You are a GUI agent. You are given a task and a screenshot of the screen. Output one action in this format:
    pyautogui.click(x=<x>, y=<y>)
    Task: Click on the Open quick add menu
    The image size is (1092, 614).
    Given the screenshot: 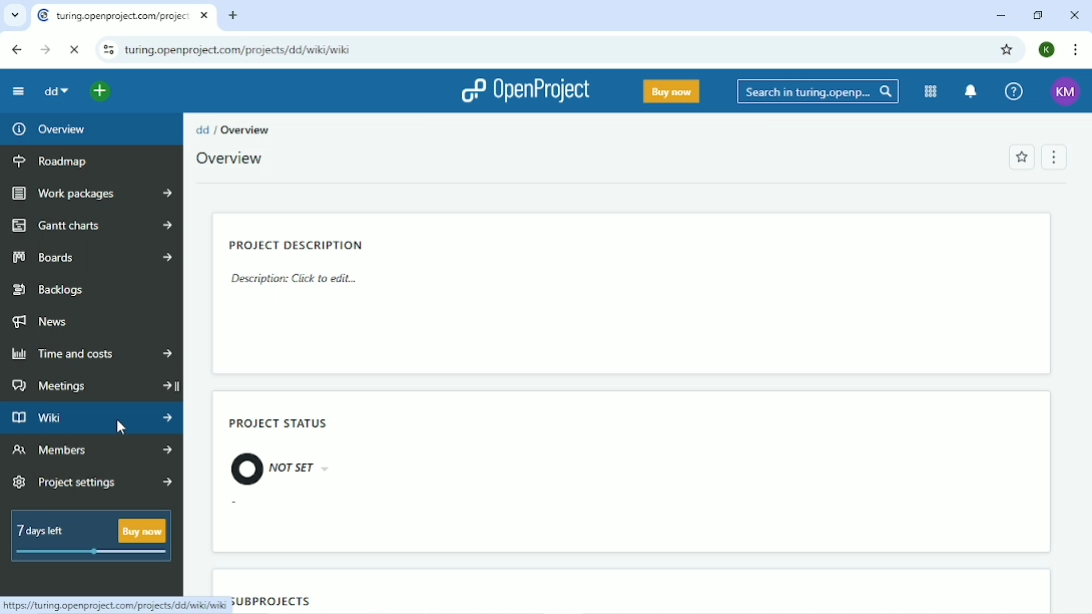 What is the action you would take?
    pyautogui.click(x=95, y=94)
    